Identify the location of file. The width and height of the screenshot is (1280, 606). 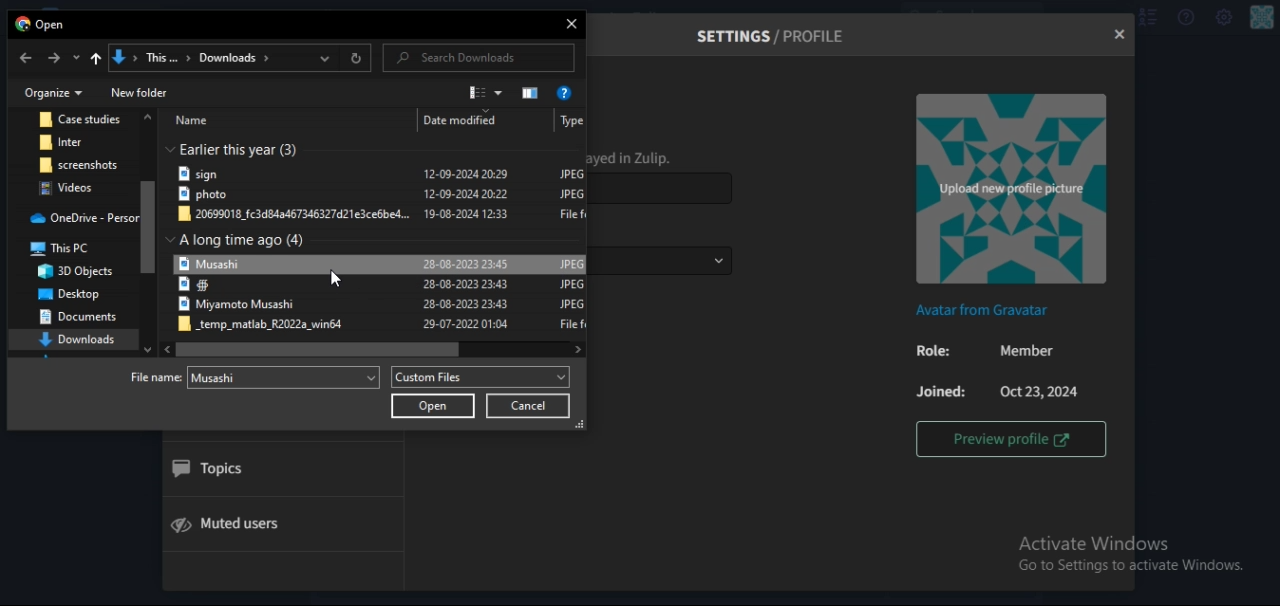
(383, 306).